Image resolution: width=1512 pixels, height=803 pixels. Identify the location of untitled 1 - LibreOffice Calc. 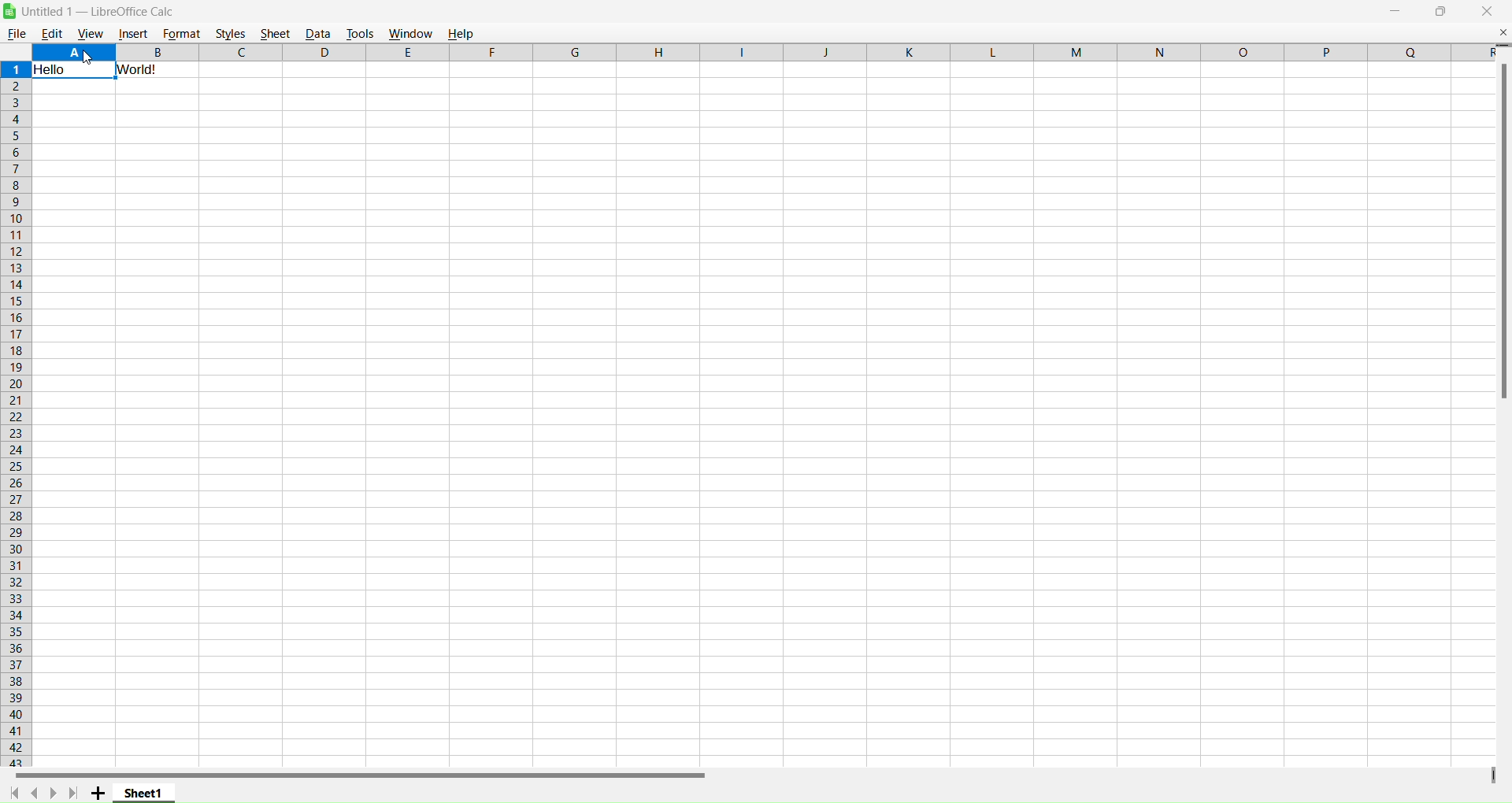
(105, 11).